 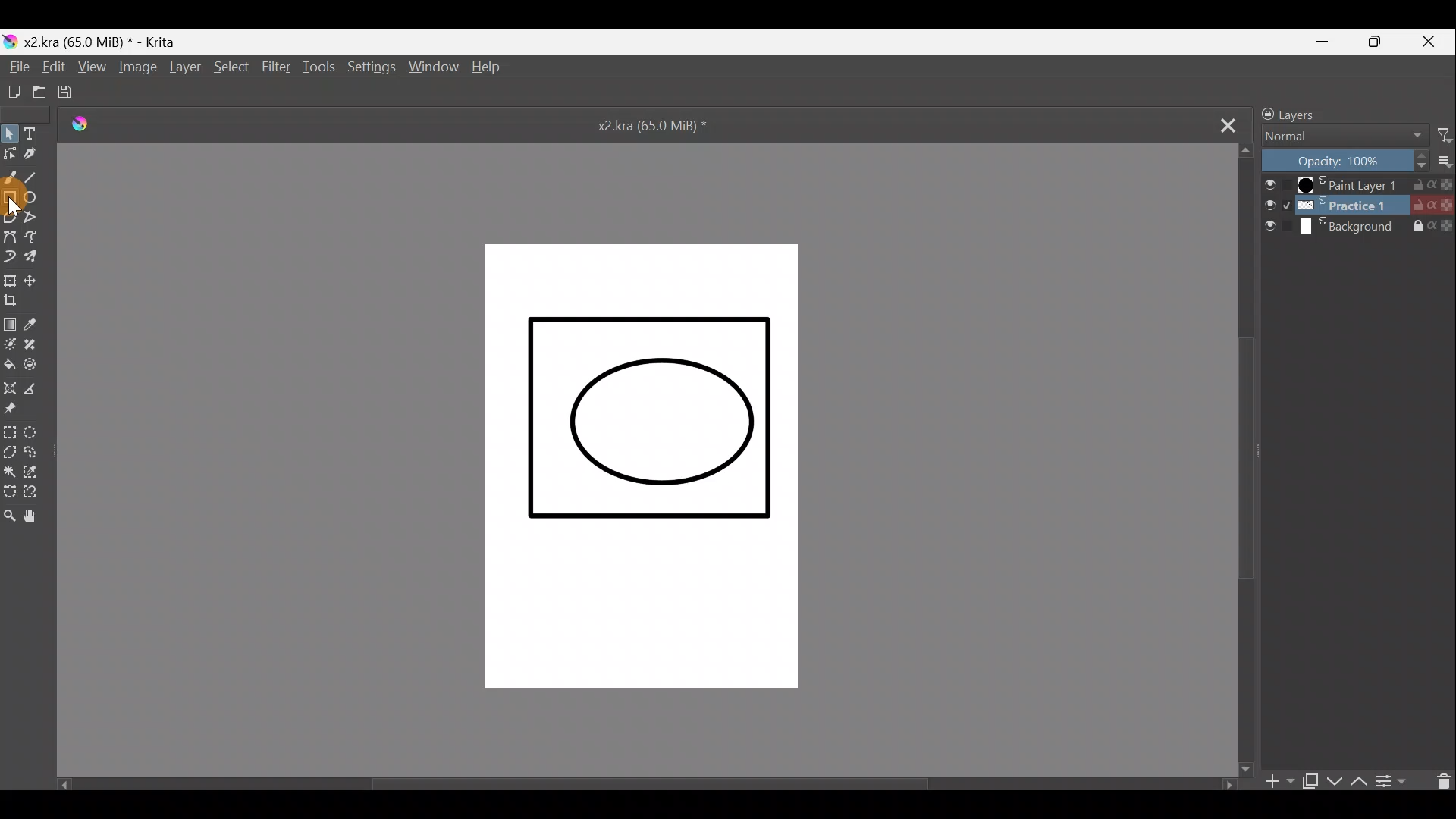 I want to click on Select shapes tool, so click(x=9, y=133).